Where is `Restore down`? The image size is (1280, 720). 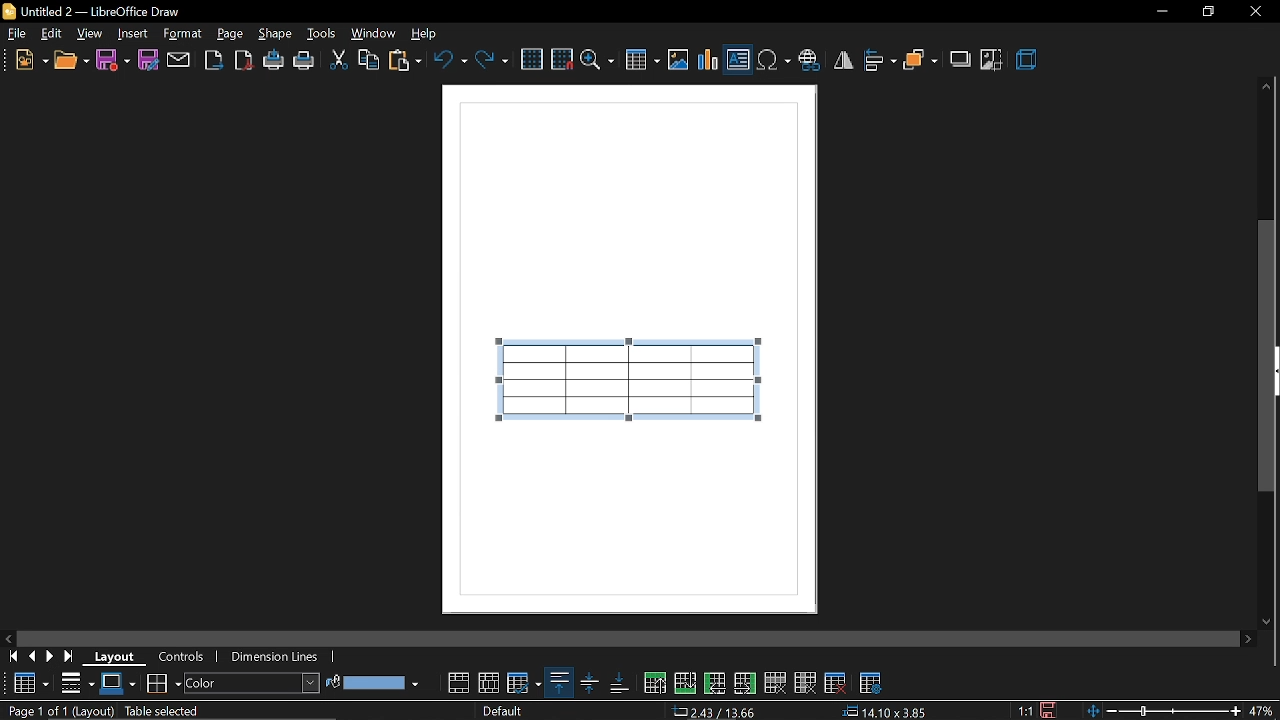 Restore down is located at coordinates (1205, 13).